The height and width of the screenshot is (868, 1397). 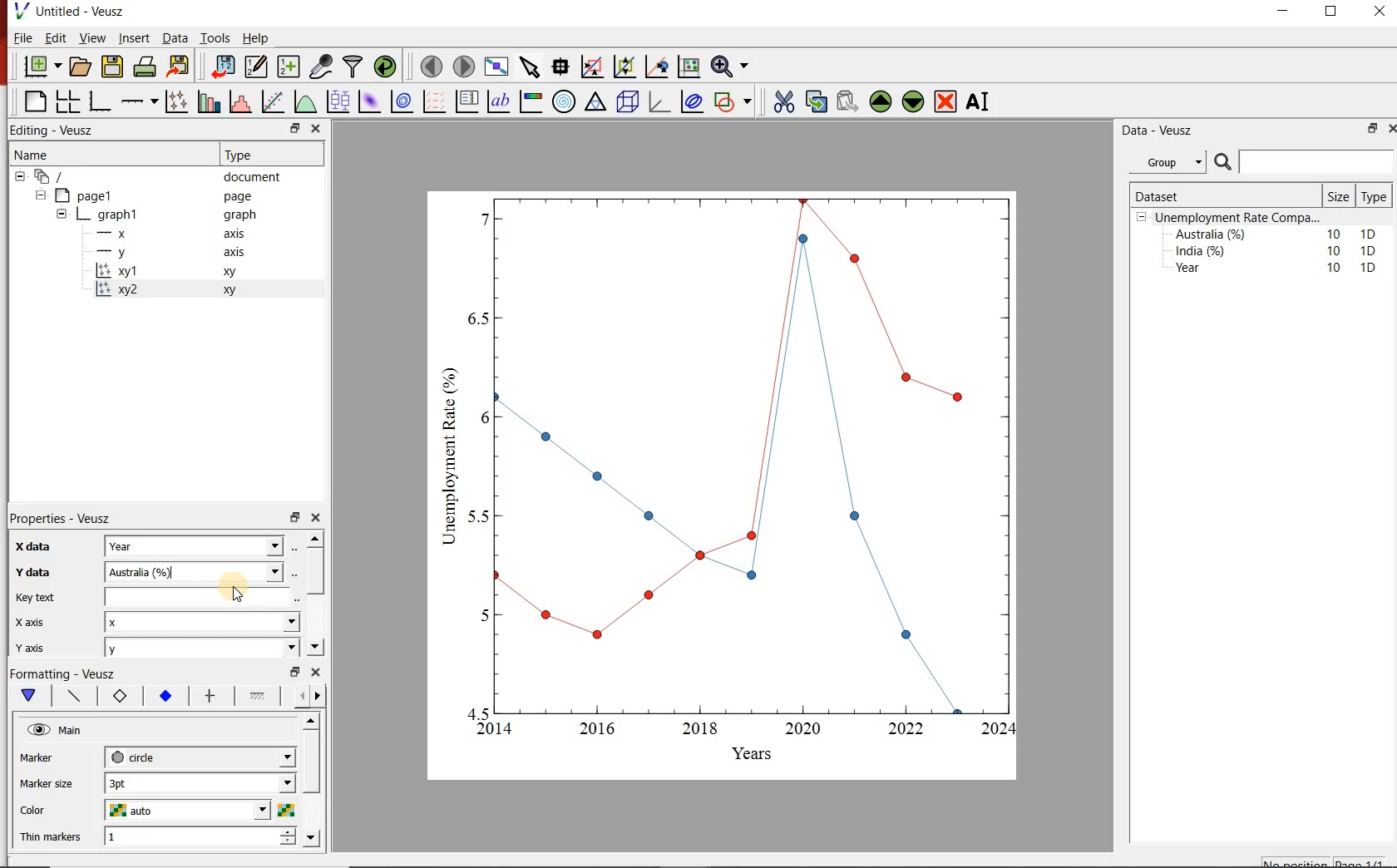 What do you see at coordinates (256, 38) in the screenshot?
I see `Help` at bounding box center [256, 38].